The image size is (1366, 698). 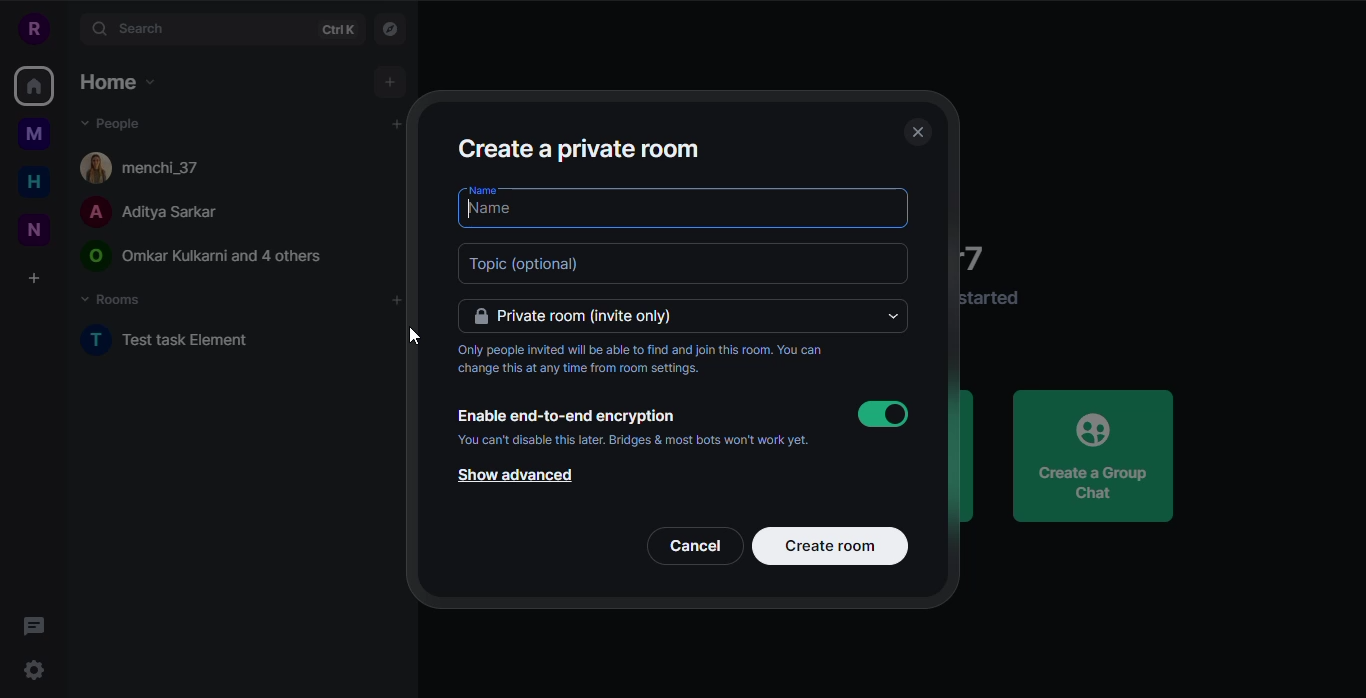 What do you see at coordinates (173, 340) in the screenshot?
I see `test task element` at bounding box center [173, 340].